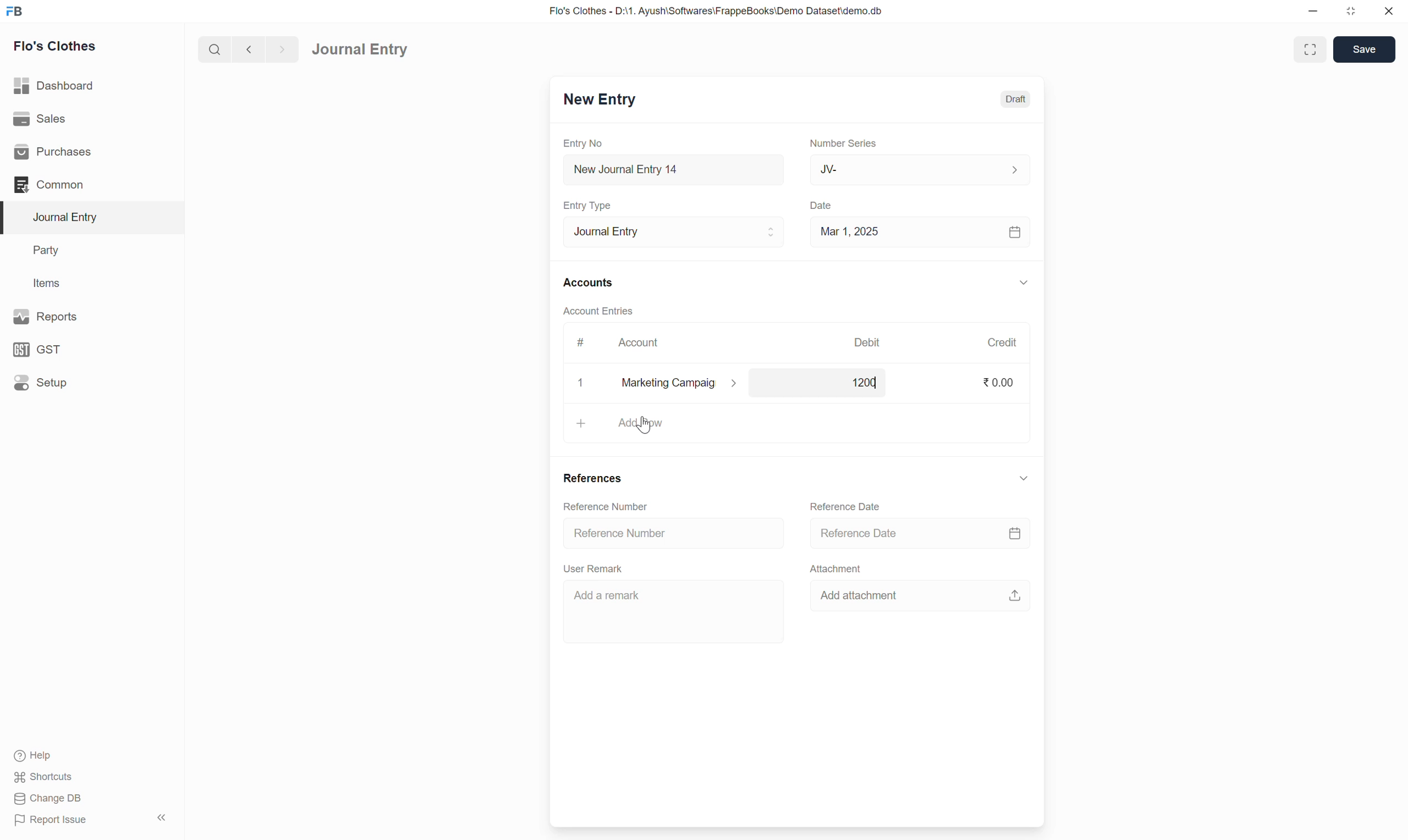 The image size is (1408, 840). I want to click on Journal Entry, so click(360, 50).